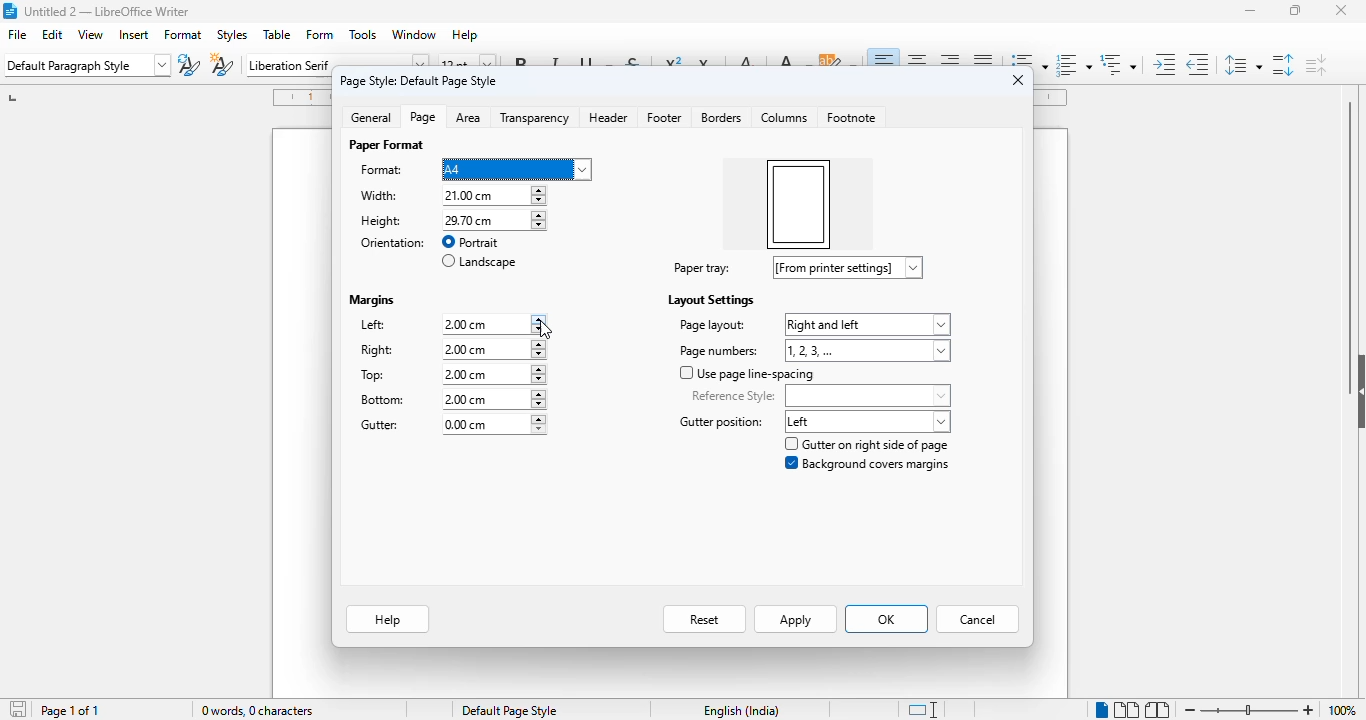 The image size is (1366, 720). I want to click on close, so click(1340, 10).